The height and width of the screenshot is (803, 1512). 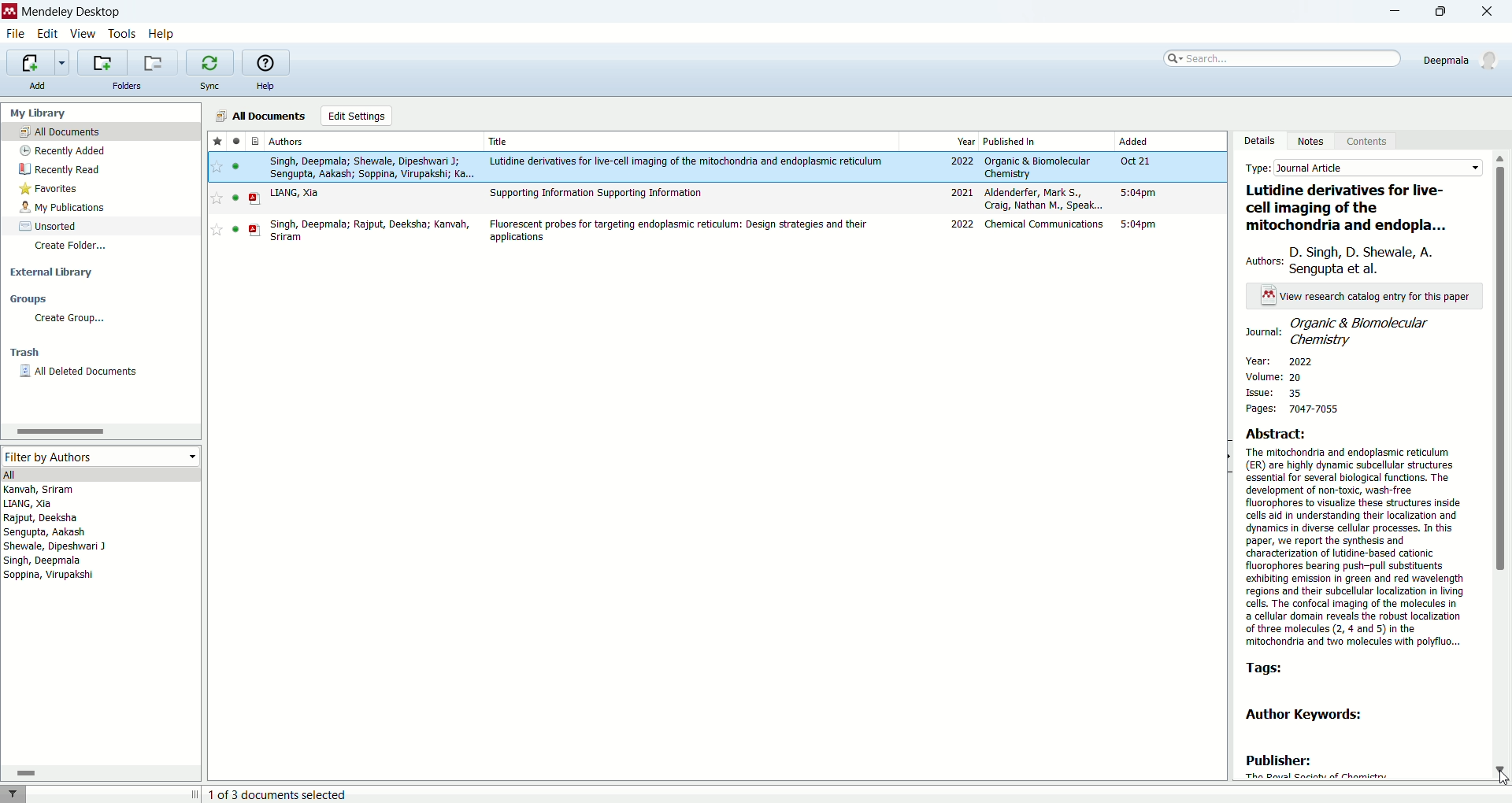 What do you see at coordinates (37, 63) in the screenshot?
I see `imports` at bounding box center [37, 63].